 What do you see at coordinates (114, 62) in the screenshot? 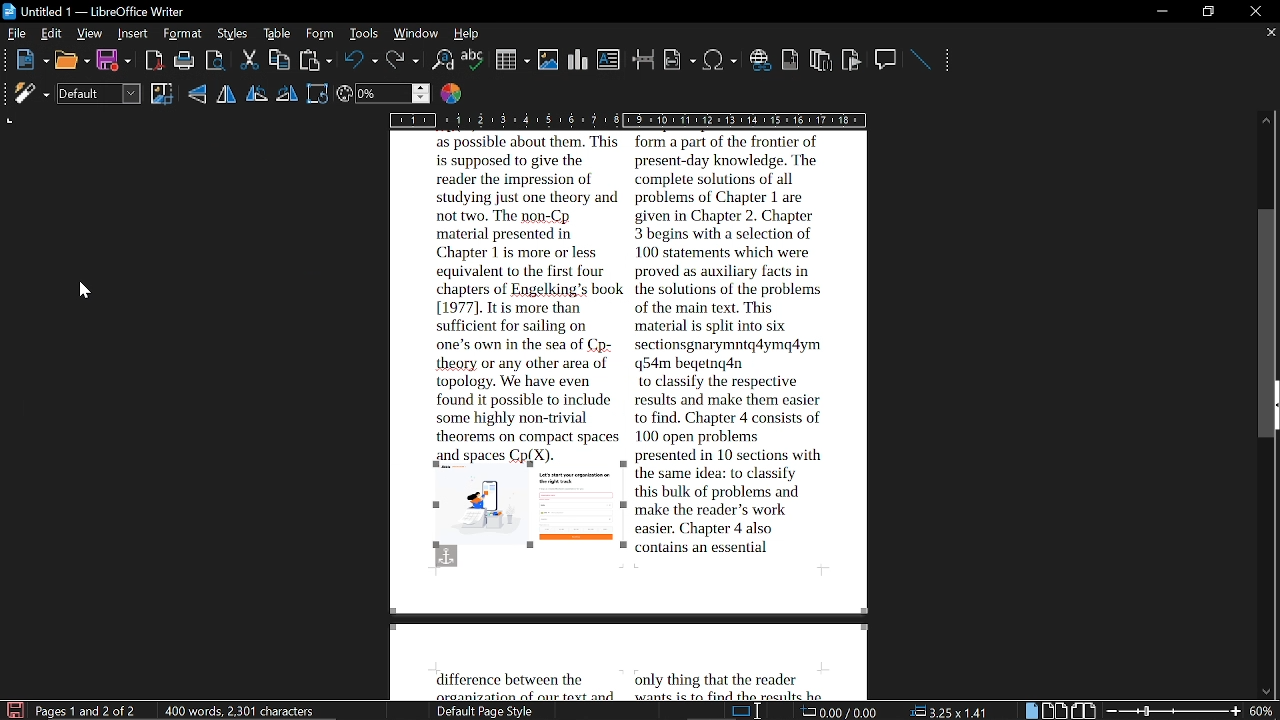
I see `save` at bounding box center [114, 62].